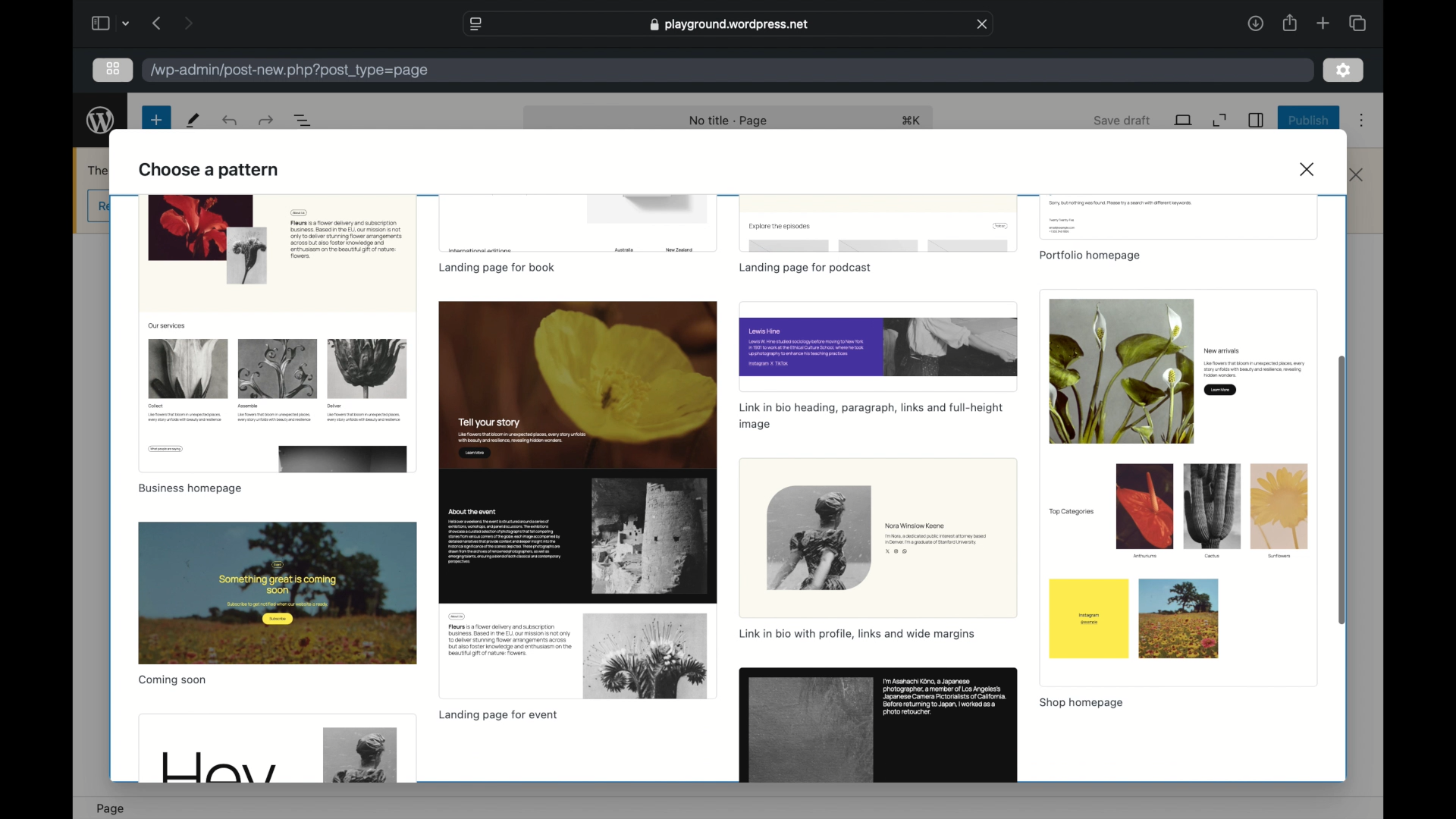 This screenshot has width=1456, height=819. I want to click on preview, so click(878, 224).